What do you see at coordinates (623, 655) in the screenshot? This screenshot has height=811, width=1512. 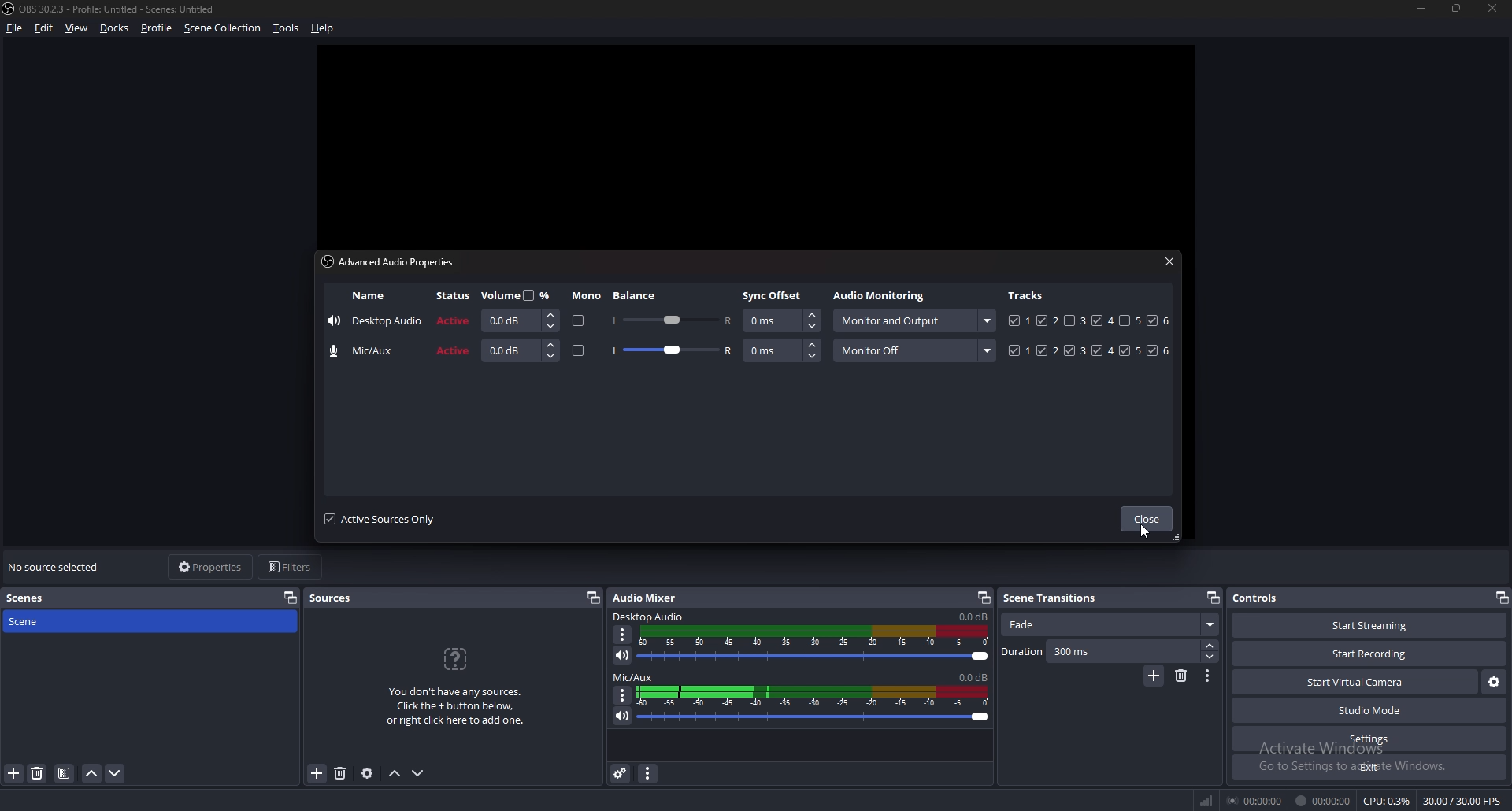 I see `mute` at bounding box center [623, 655].